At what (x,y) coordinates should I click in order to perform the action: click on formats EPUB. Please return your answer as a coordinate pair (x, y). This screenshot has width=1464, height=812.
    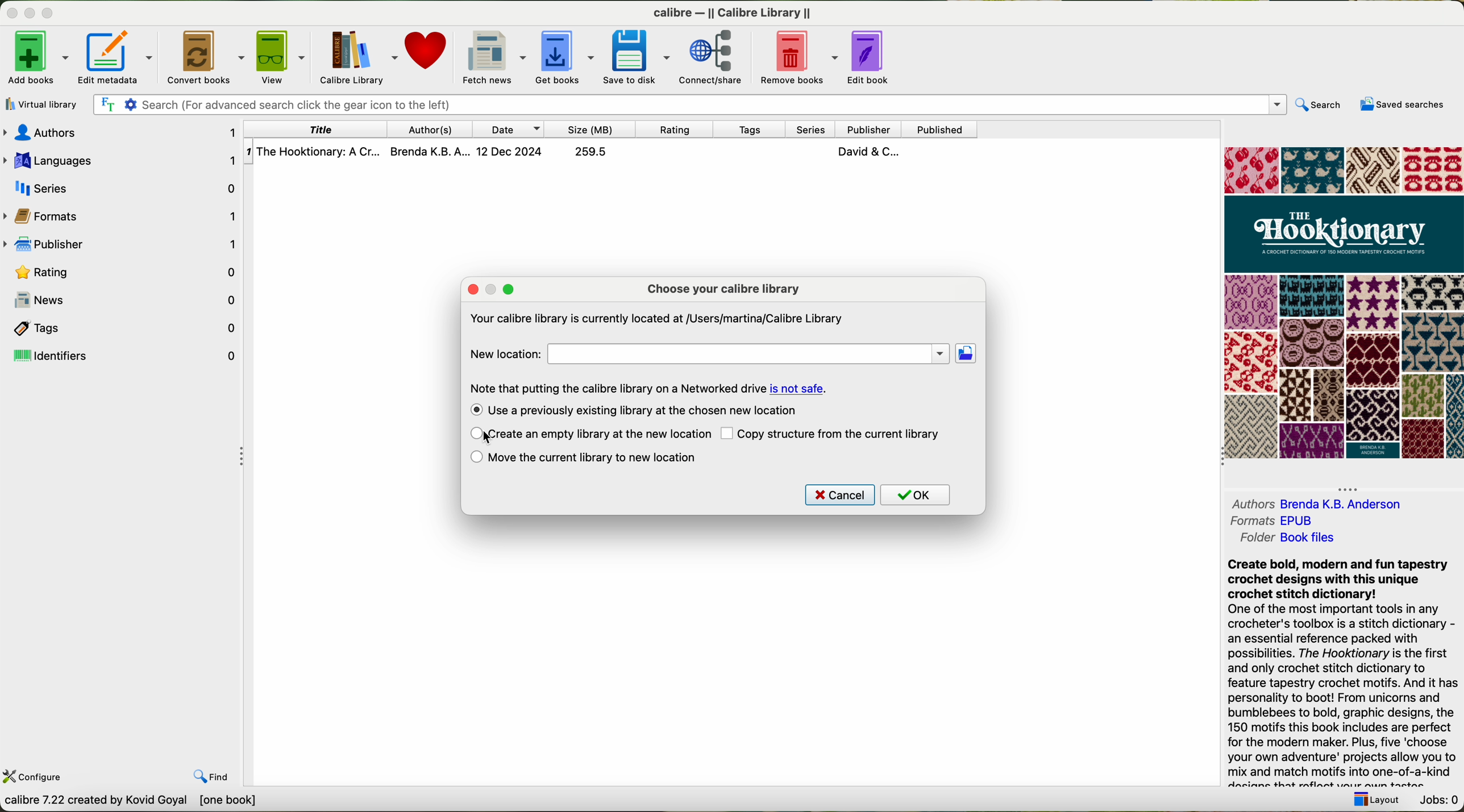
    Looking at the image, I should click on (1270, 521).